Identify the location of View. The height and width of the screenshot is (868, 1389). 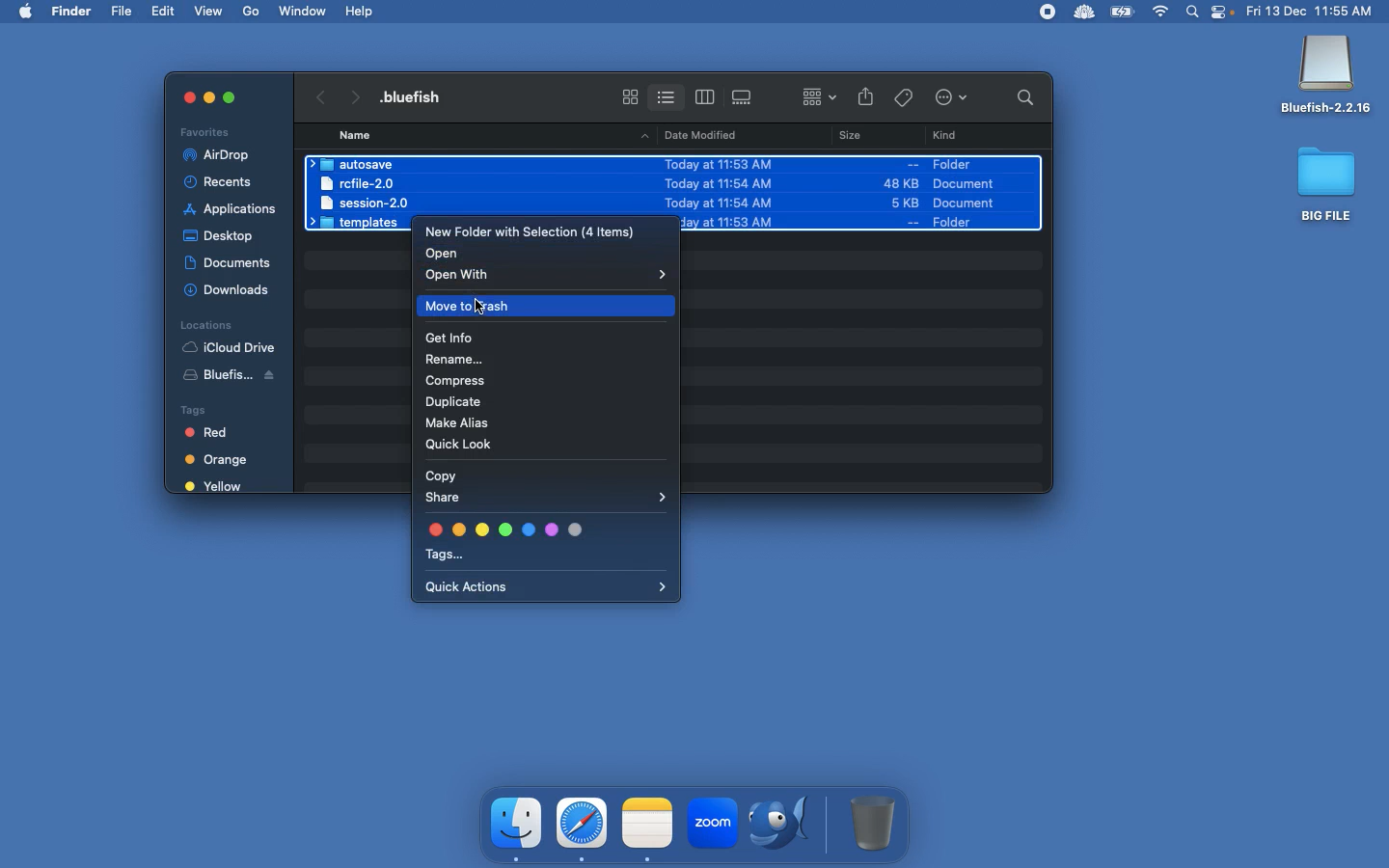
(210, 10).